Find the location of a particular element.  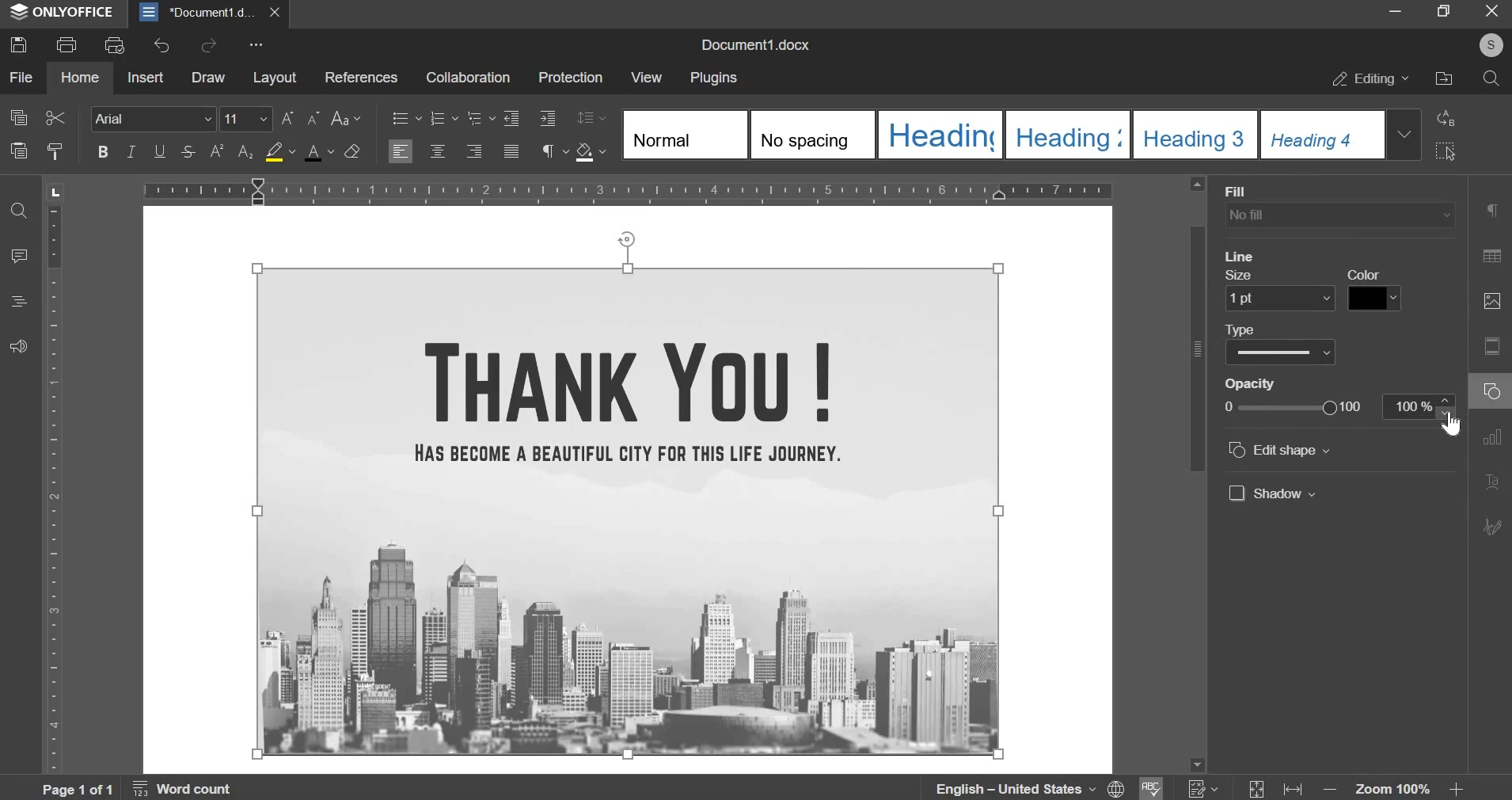

paste is located at coordinates (19, 150).